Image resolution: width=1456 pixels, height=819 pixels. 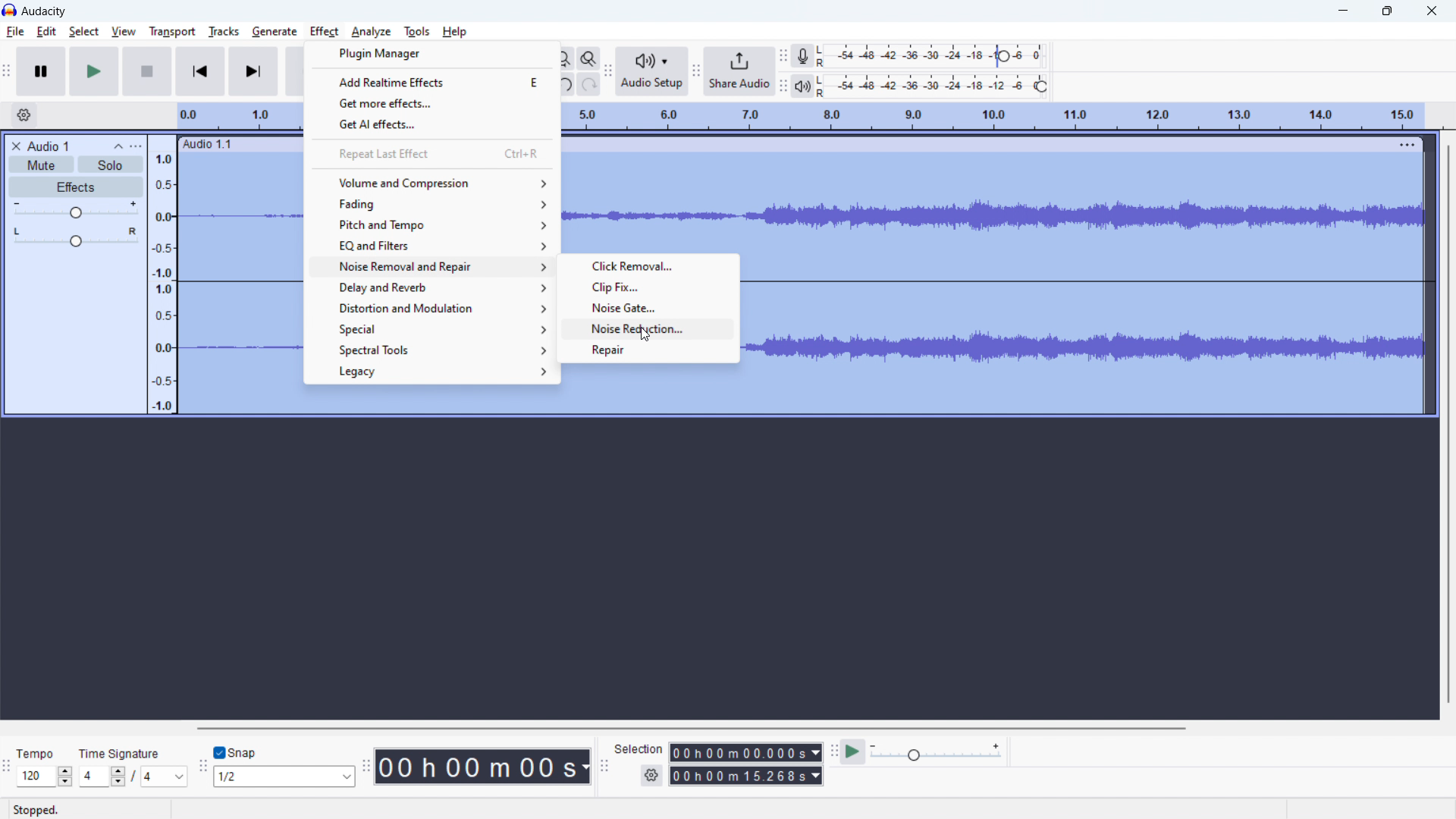 I want to click on stop, so click(x=147, y=71).